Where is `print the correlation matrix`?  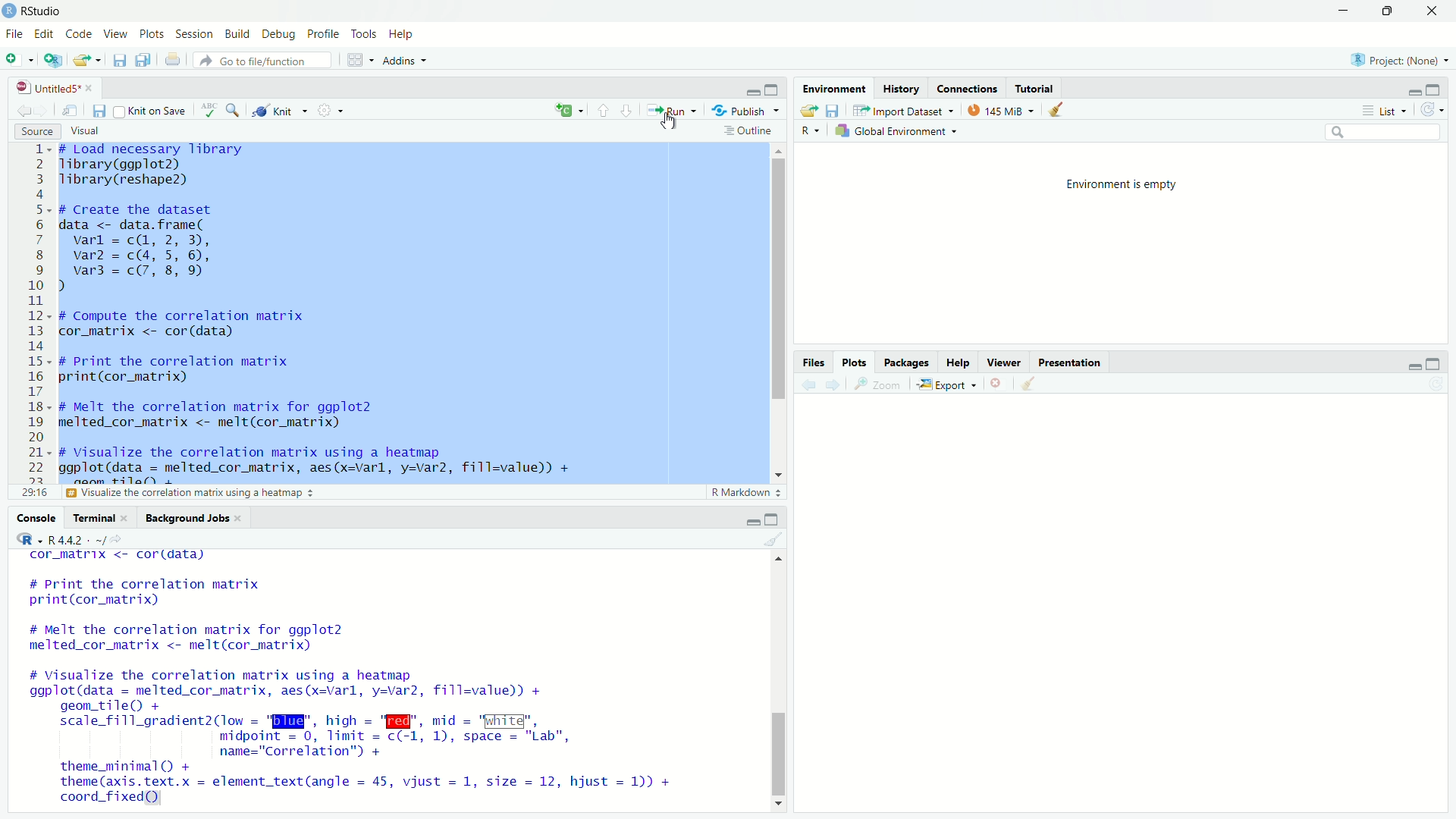
print the correlation matrix is located at coordinates (139, 494).